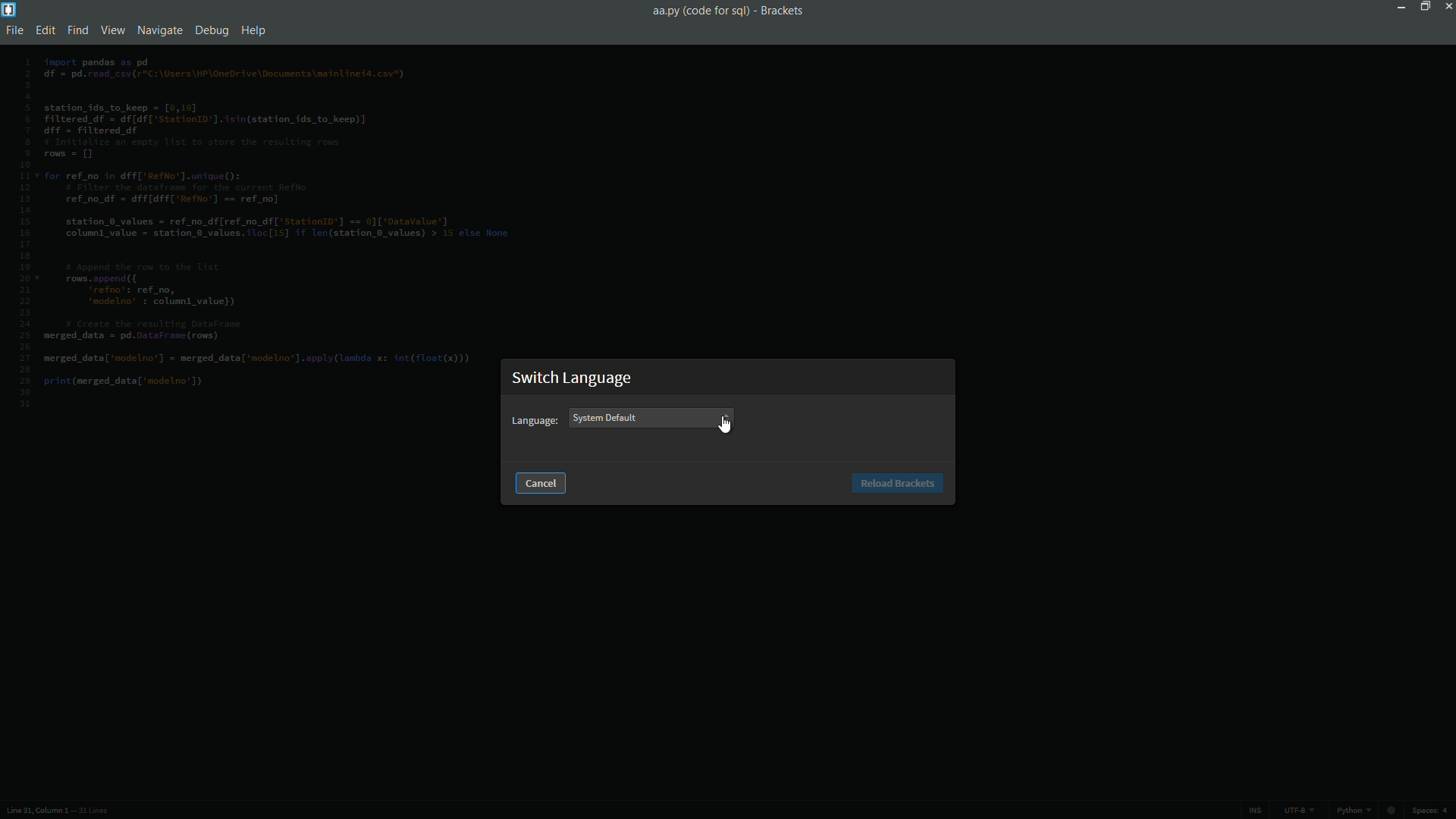  What do you see at coordinates (1422, 6) in the screenshot?
I see `maximize` at bounding box center [1422, 6].